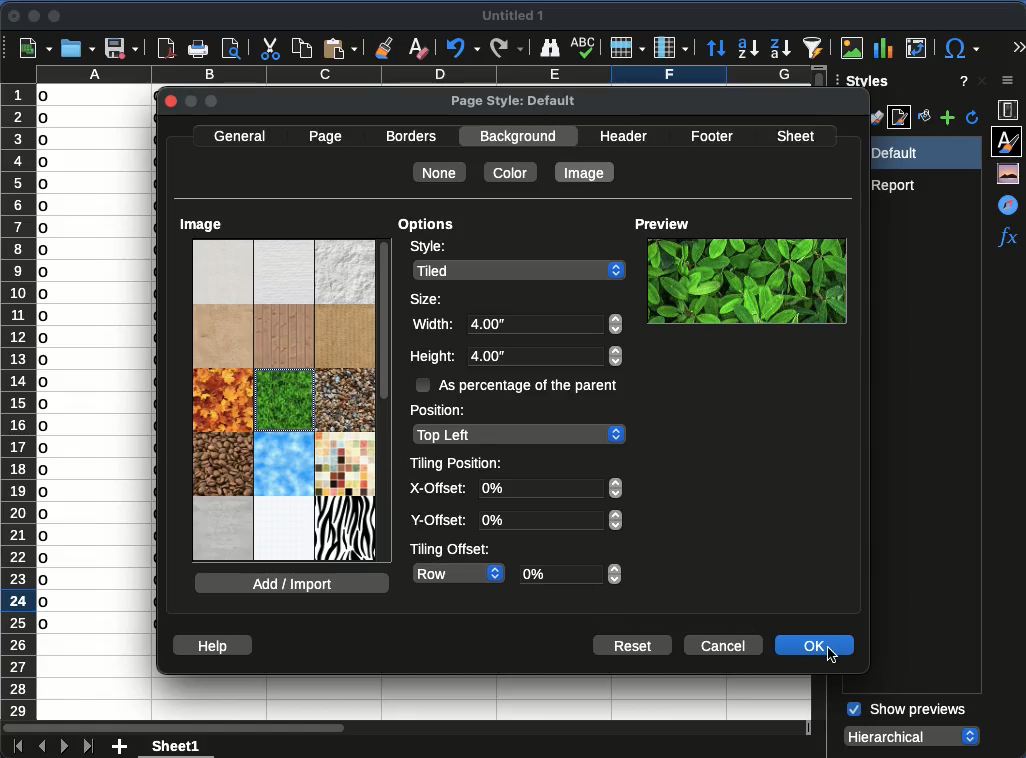 Image resolution: width=1026 pixels, height=758 pixels. Describe the element at coordinates (428, 298) in the screenshot. I see `size` at that location.